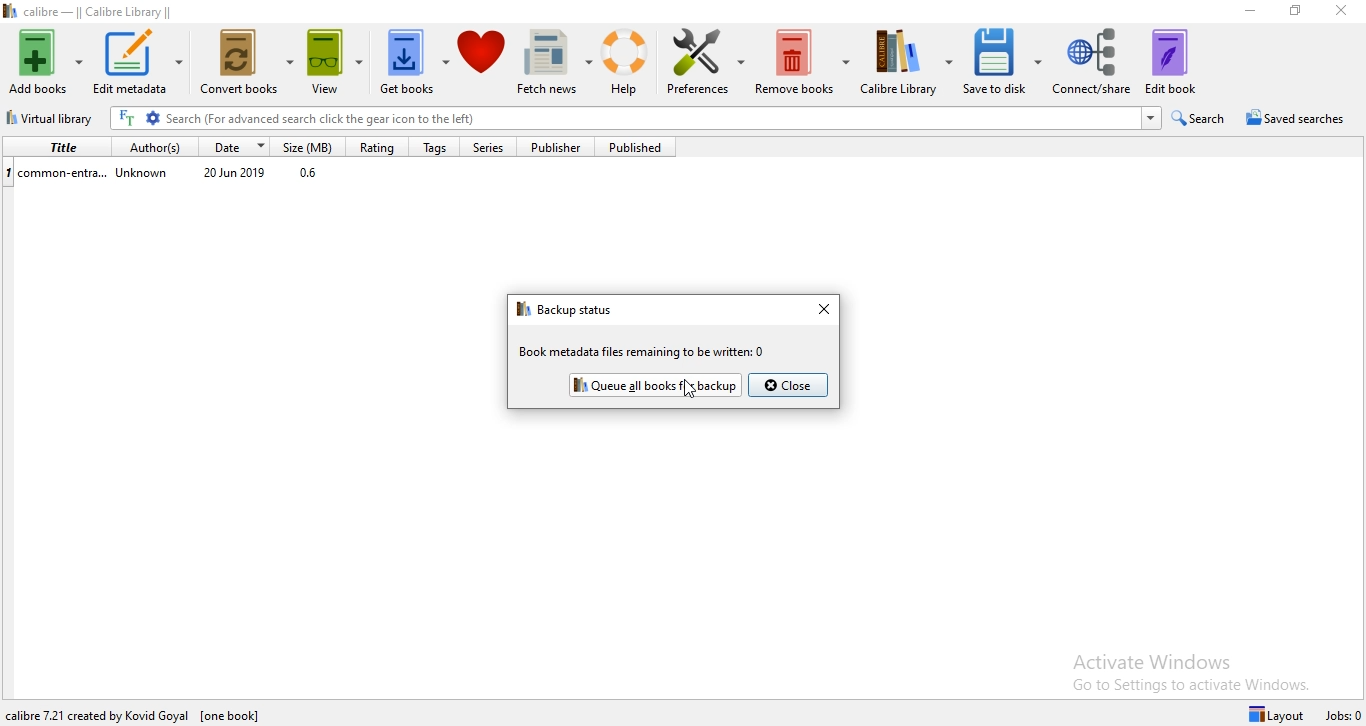  I want to click on Virtual Library, so click(53, 120).